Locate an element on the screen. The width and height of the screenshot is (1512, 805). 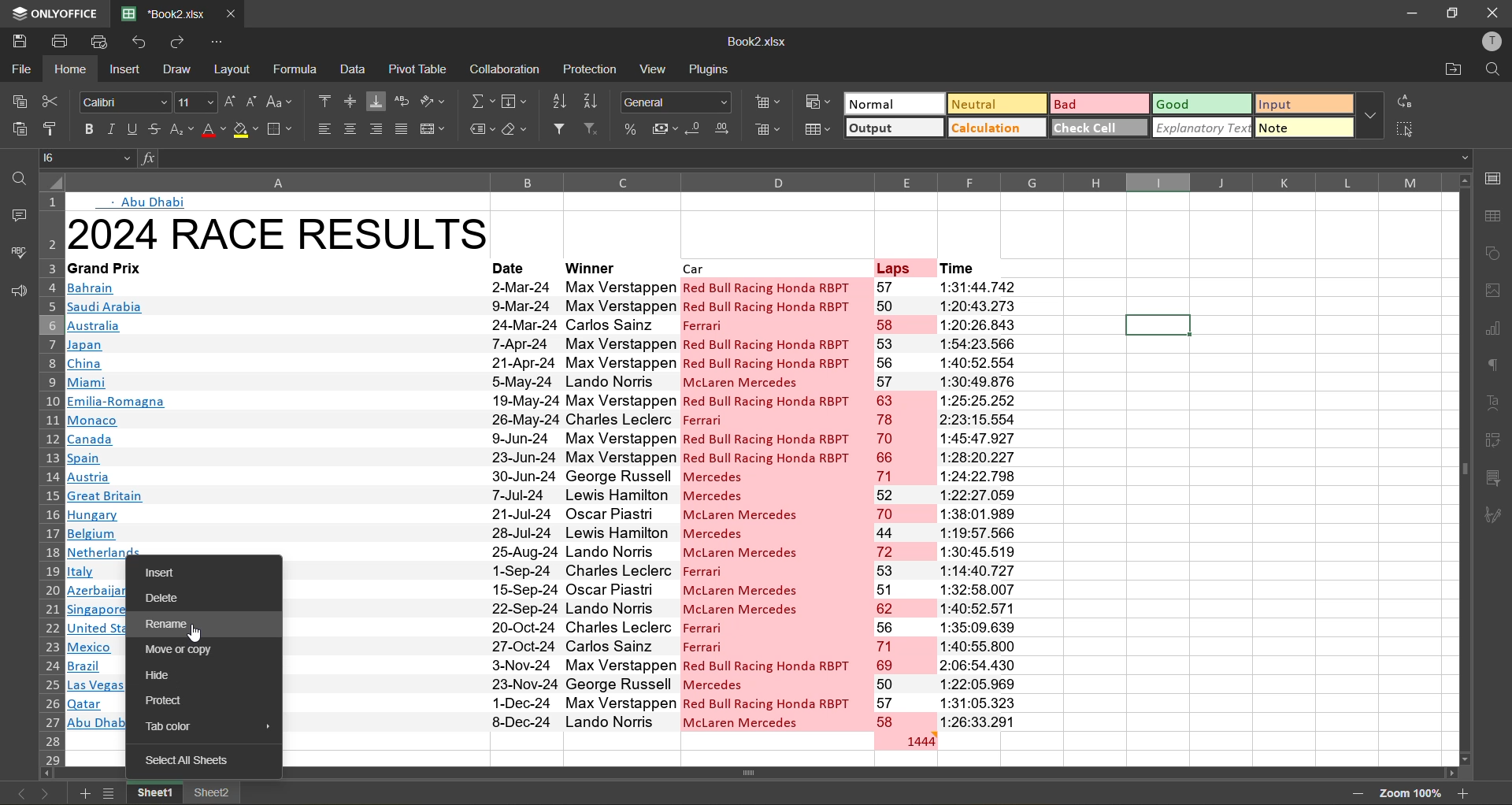
move or copy is located at coordinates (176, 650).